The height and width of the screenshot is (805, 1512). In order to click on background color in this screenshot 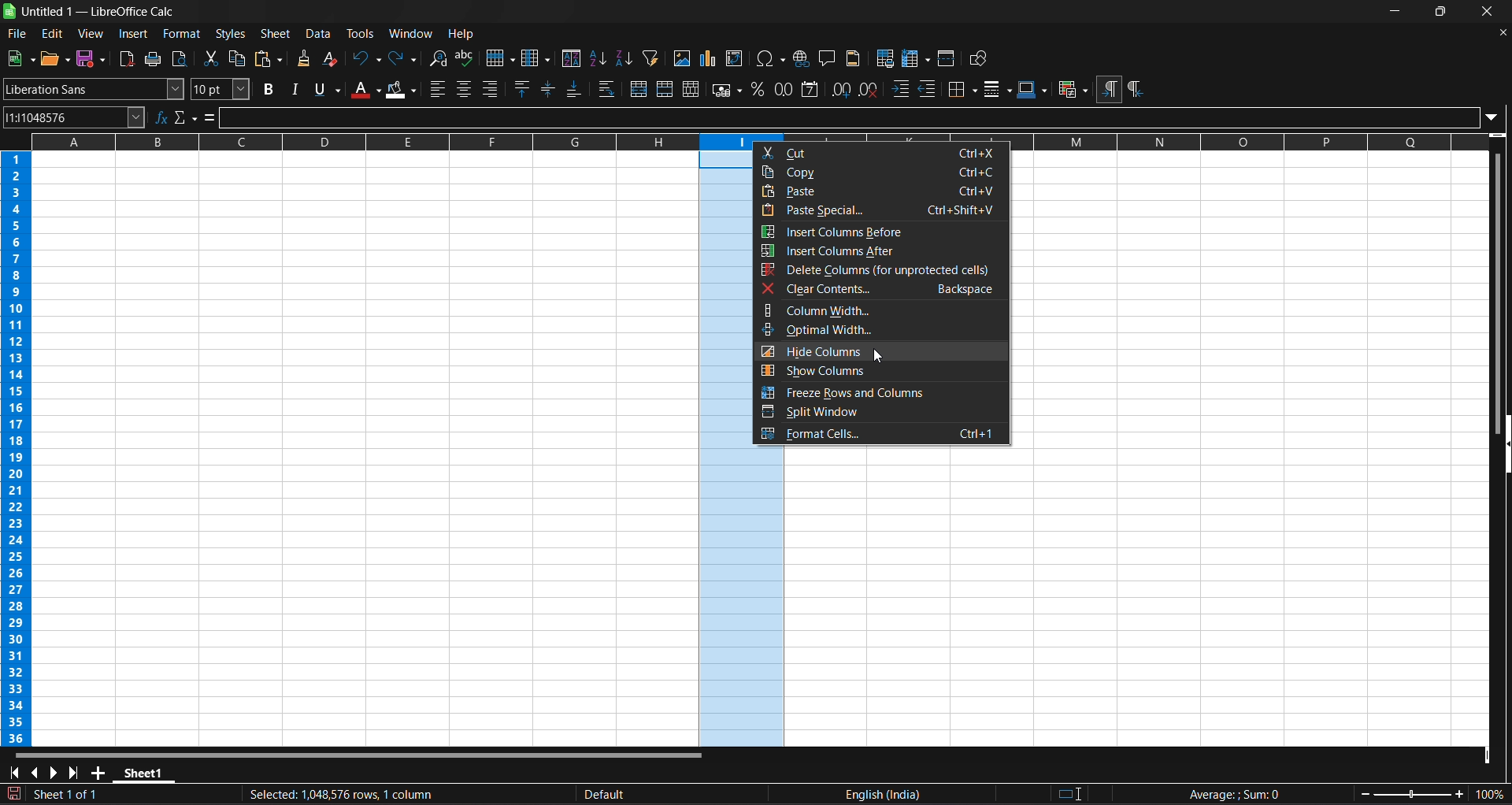, I will do `click(402, 91)`.